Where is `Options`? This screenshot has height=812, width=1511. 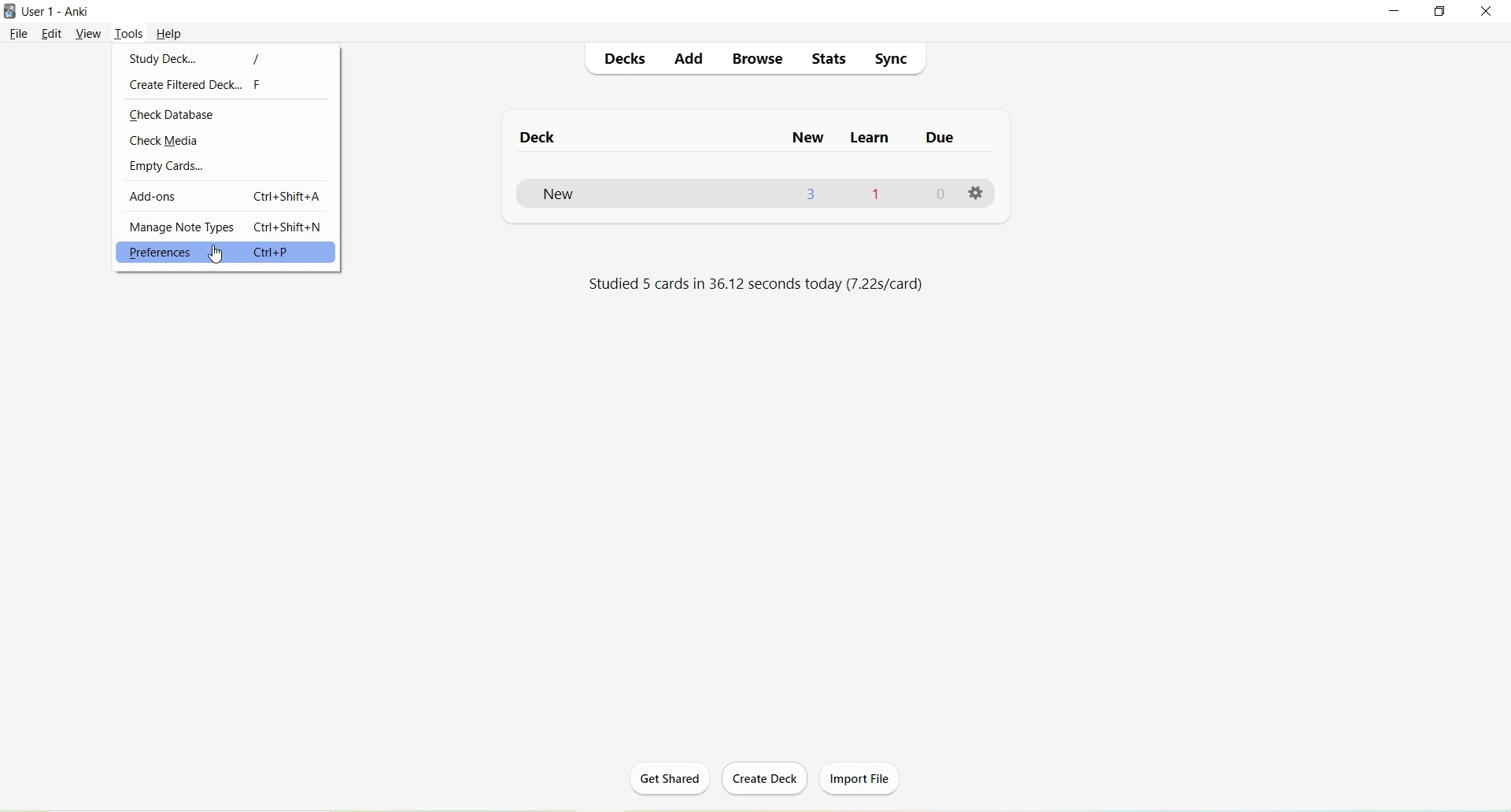 Options is located at coordinates (977, 195).